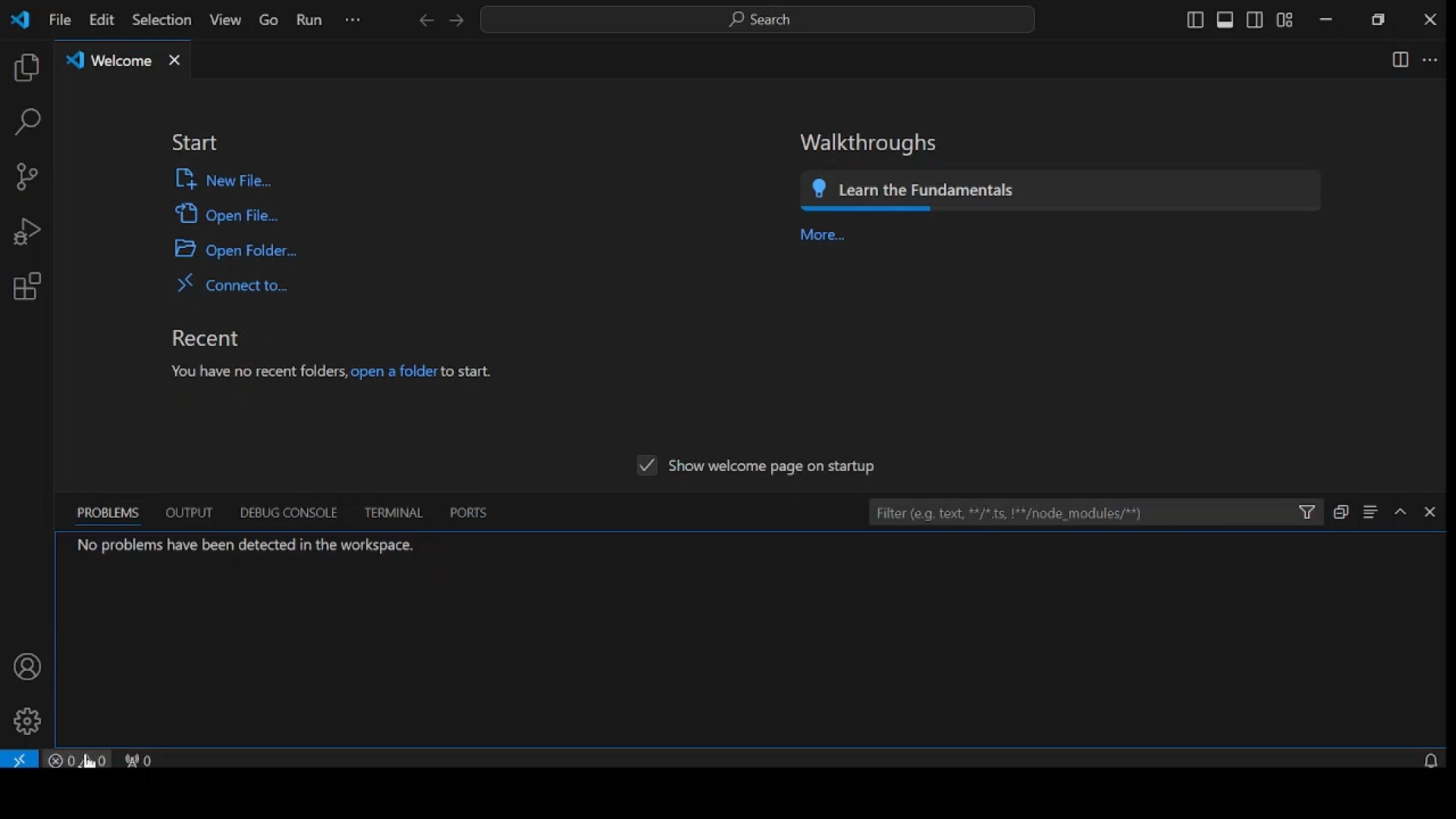 Image resolution: width=1456 pixels, height=819 pixels. Describe the element at coordinates (27, 123) in the screenshot. I see `search` at that location.